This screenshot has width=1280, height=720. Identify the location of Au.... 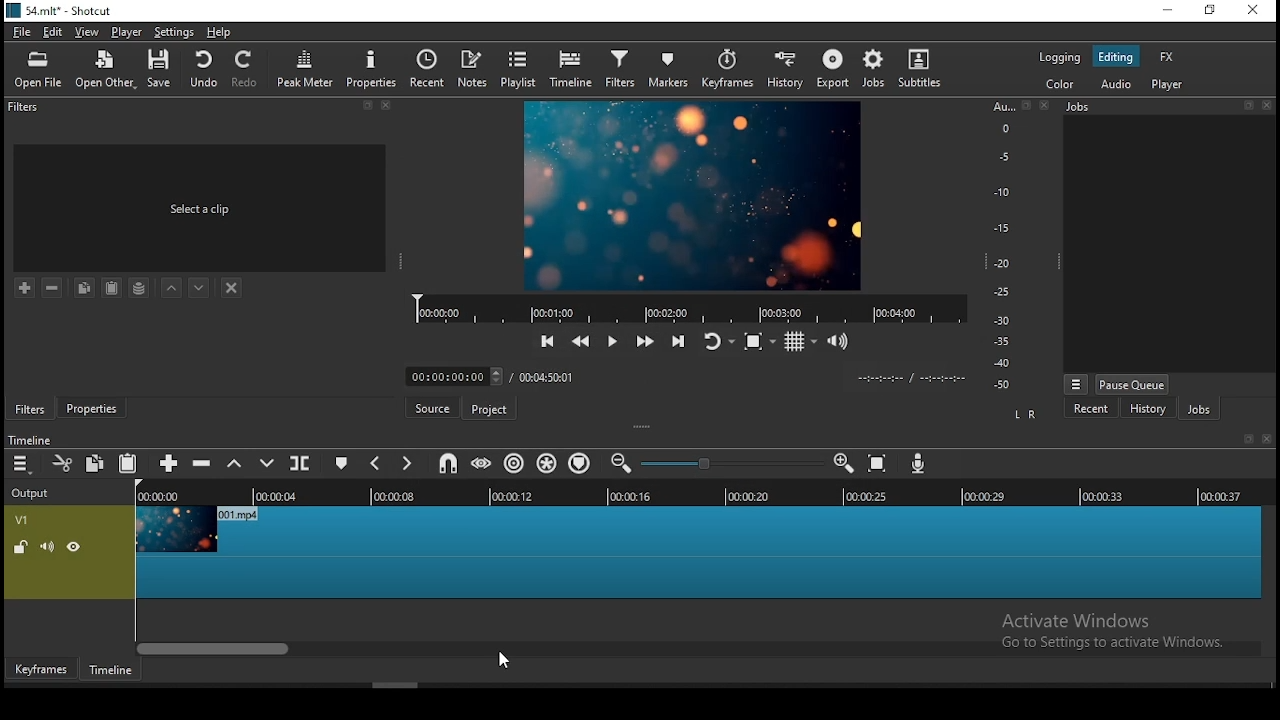
(1000, 106).